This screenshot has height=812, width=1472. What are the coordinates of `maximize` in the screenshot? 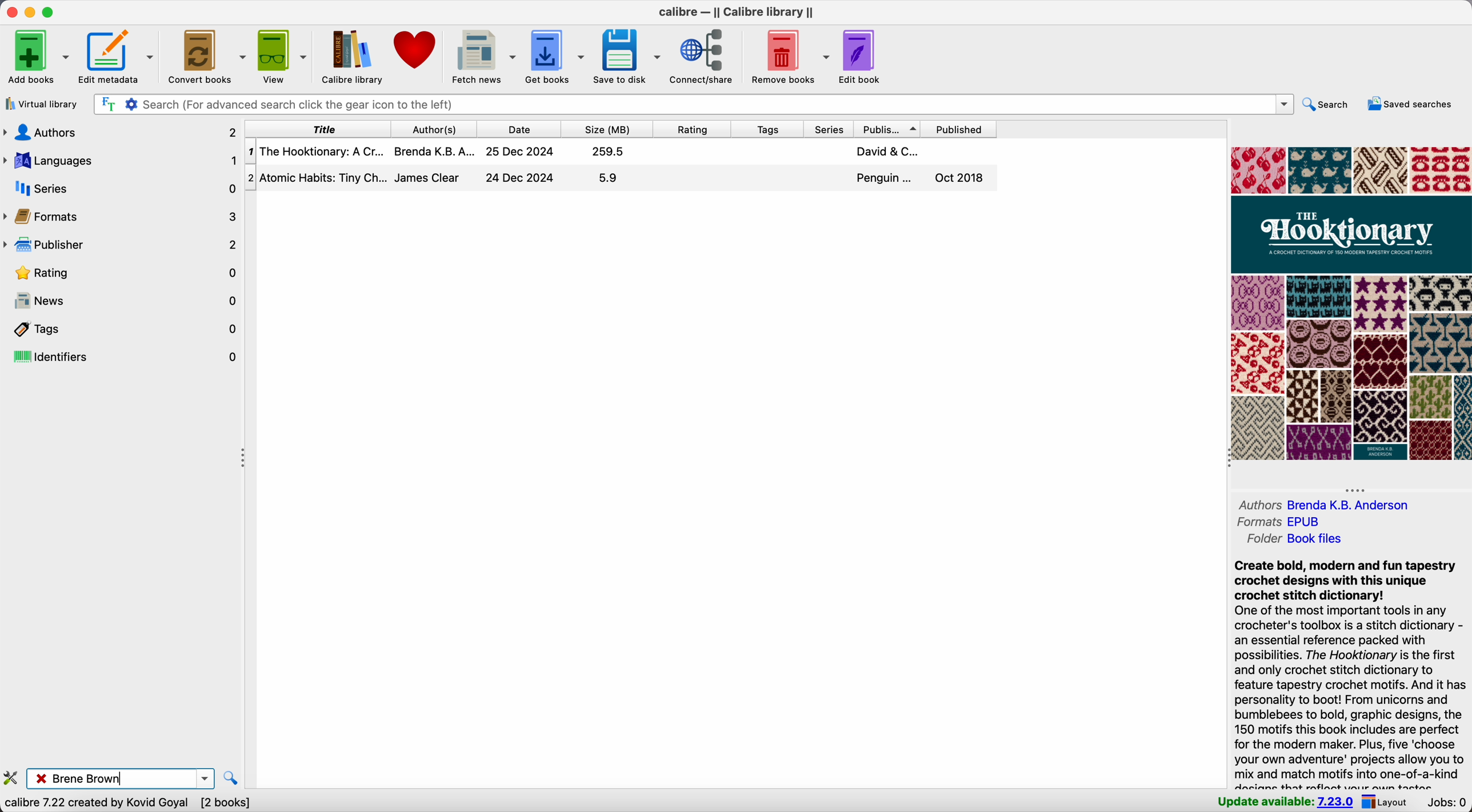 It's located at (51, 12).